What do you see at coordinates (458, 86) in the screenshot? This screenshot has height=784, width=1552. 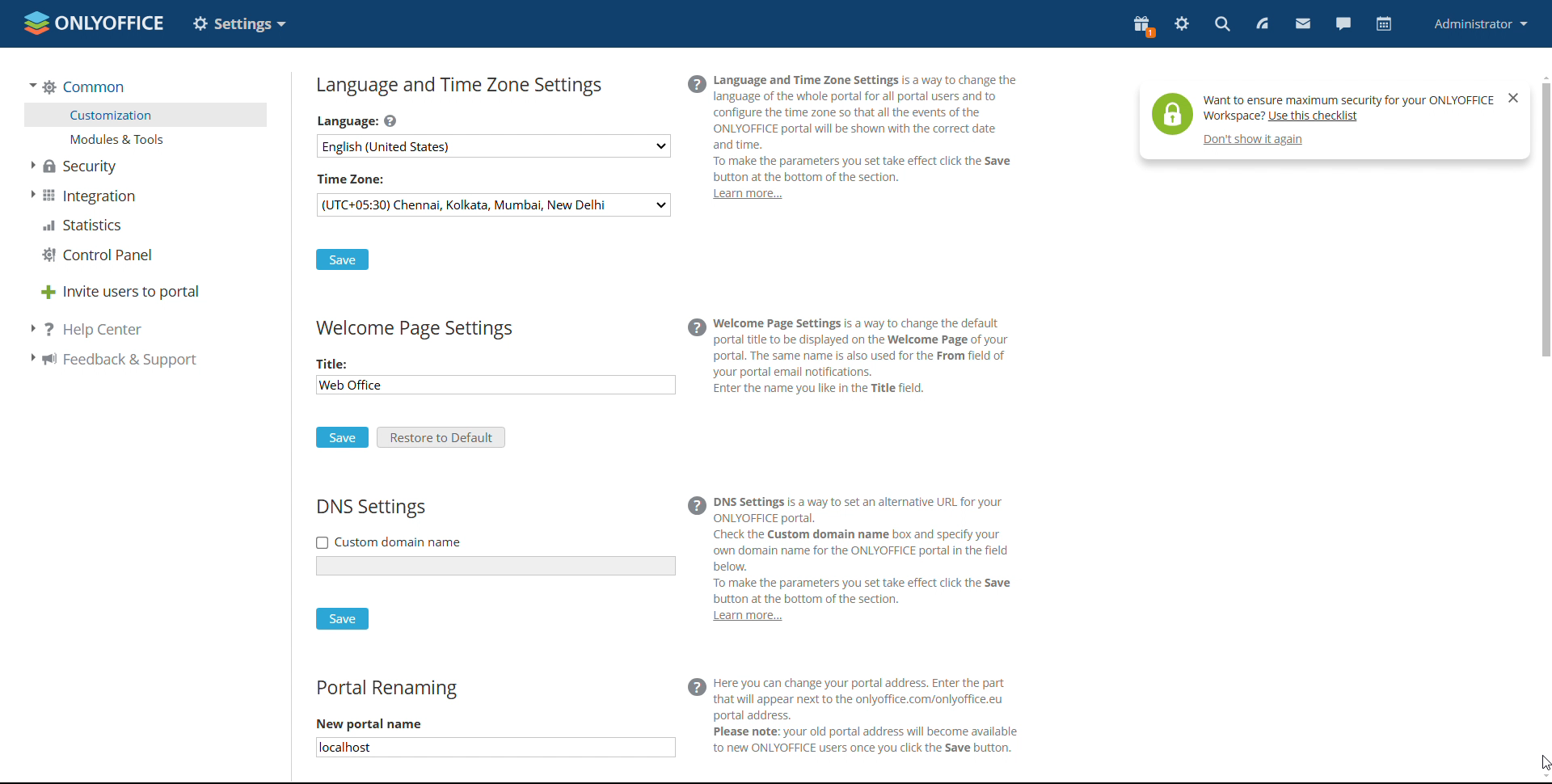 I see `language and timezone settings` at bounding box center [458, 86].